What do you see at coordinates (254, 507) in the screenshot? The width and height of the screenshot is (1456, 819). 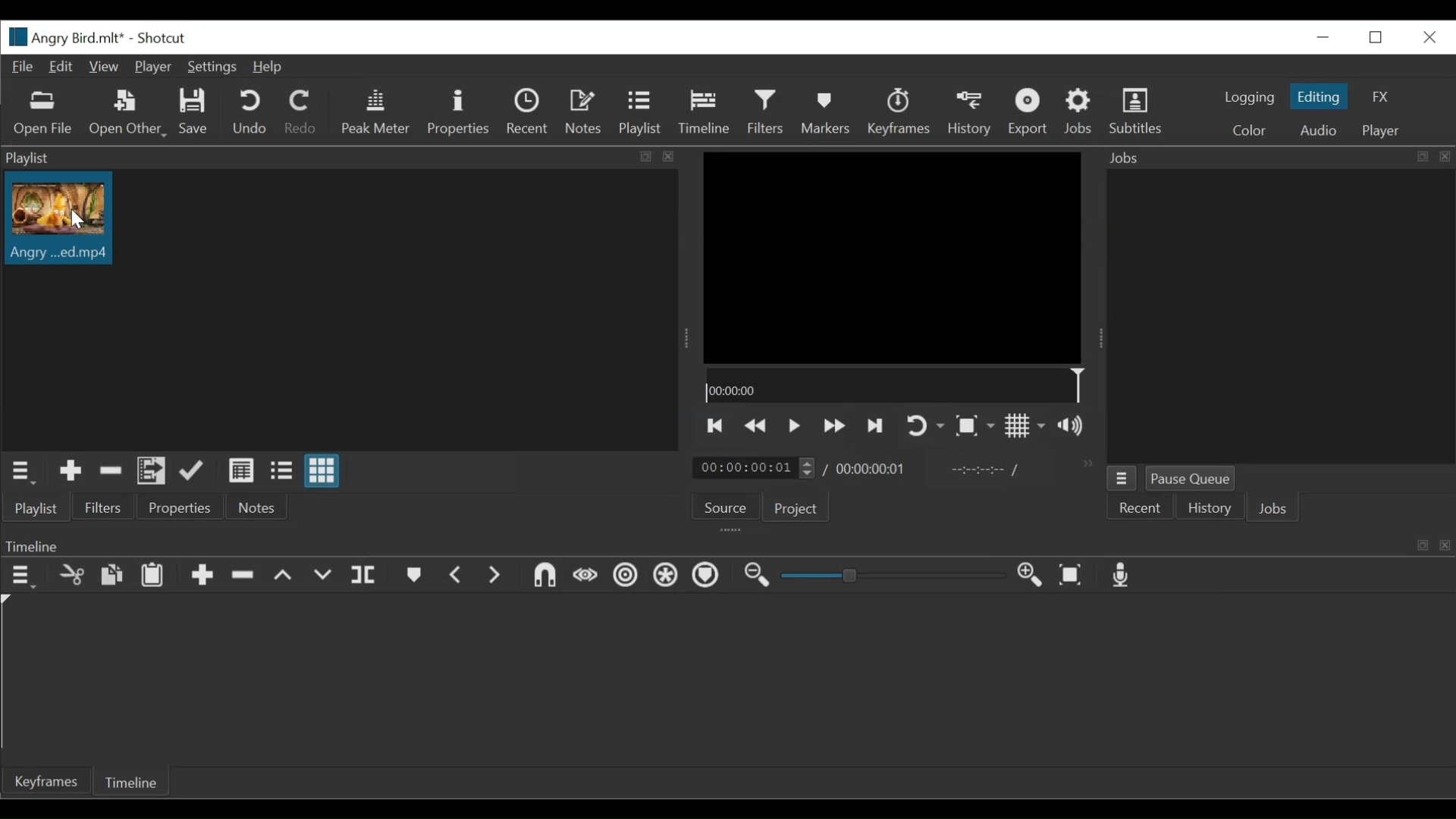 I see `Notes` at bounding box center [254, 507].